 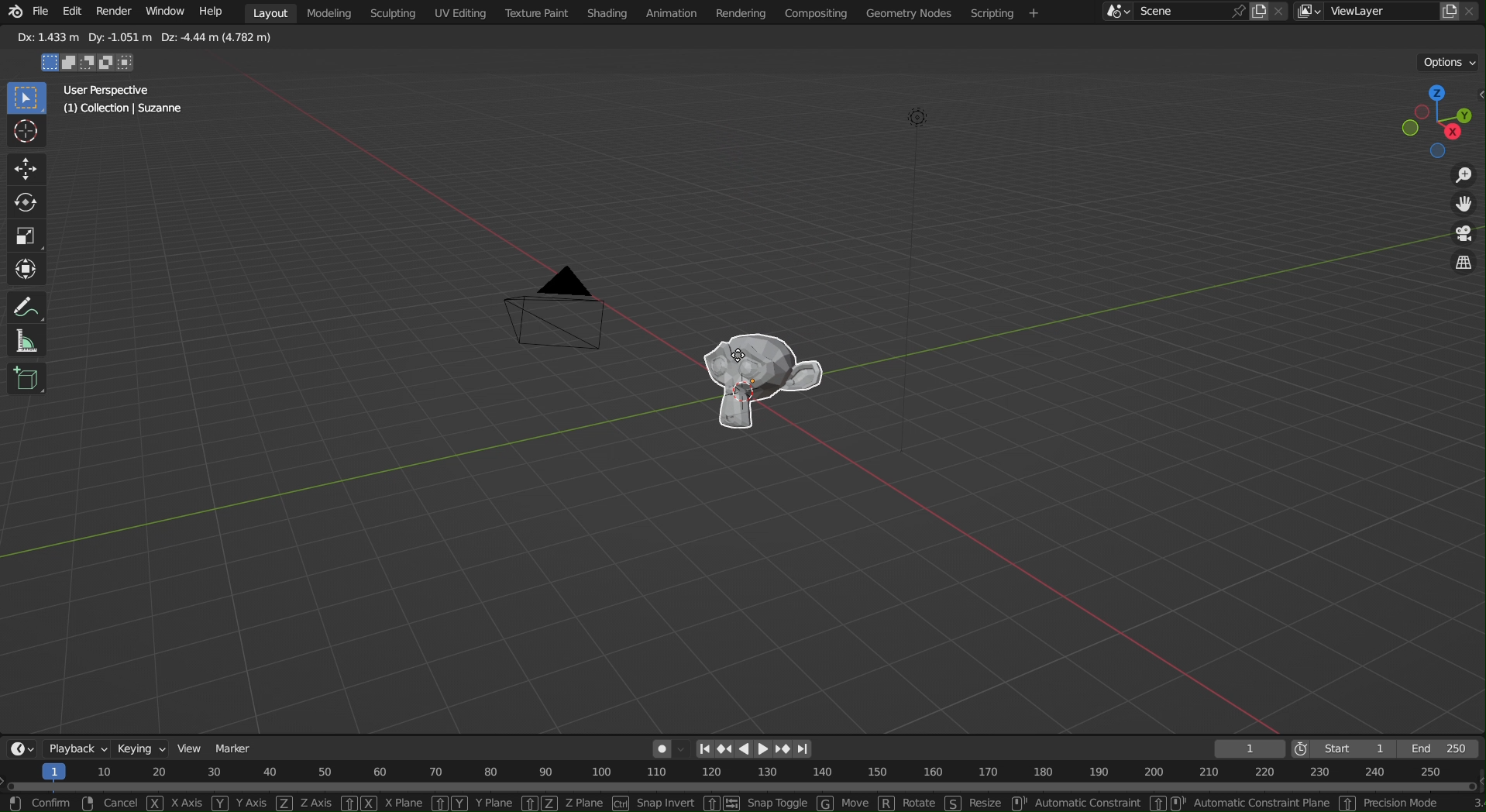 I want to click on Move, so click(x=26, y=170).